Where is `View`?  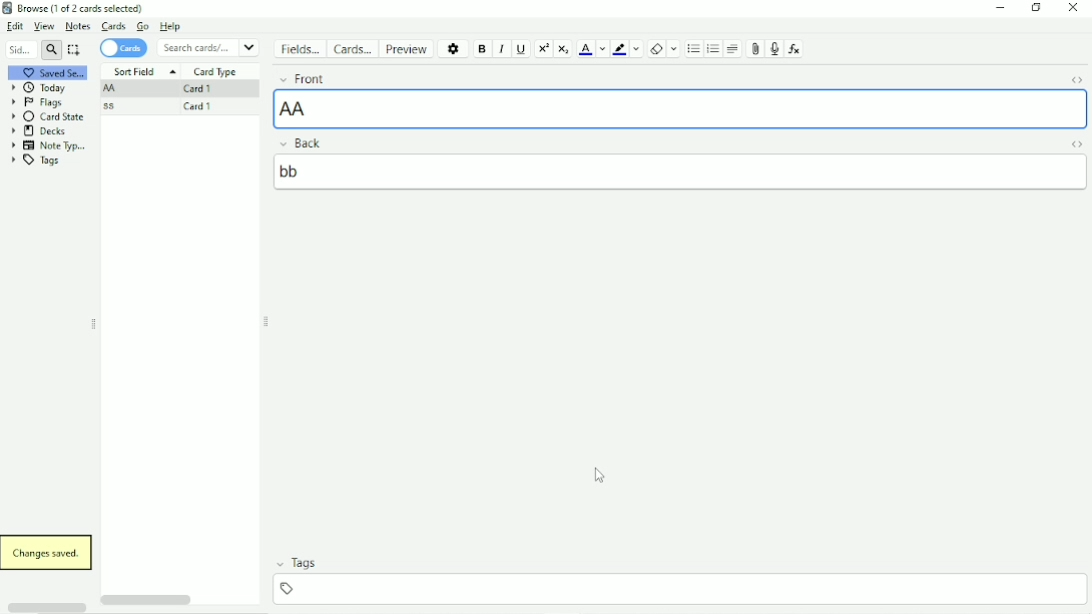
View is located at coordinates (45, 27).